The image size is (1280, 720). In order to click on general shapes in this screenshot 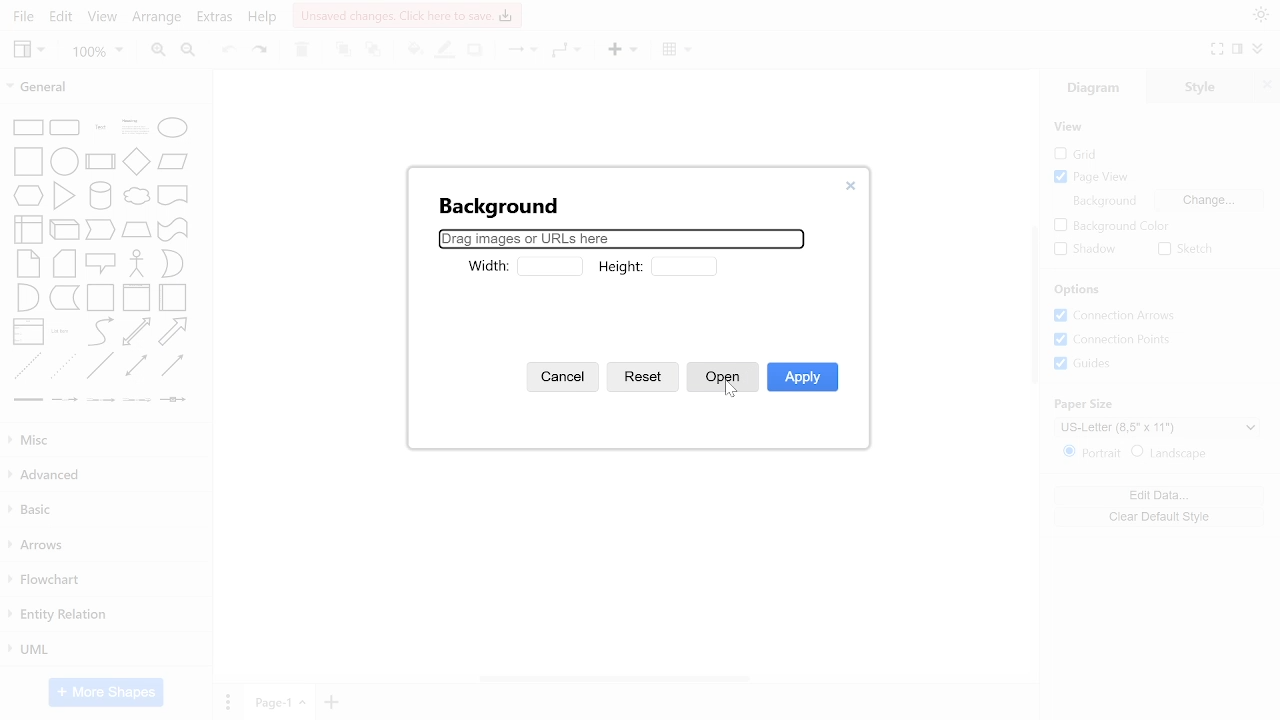, I will do `click(25, 368)`.